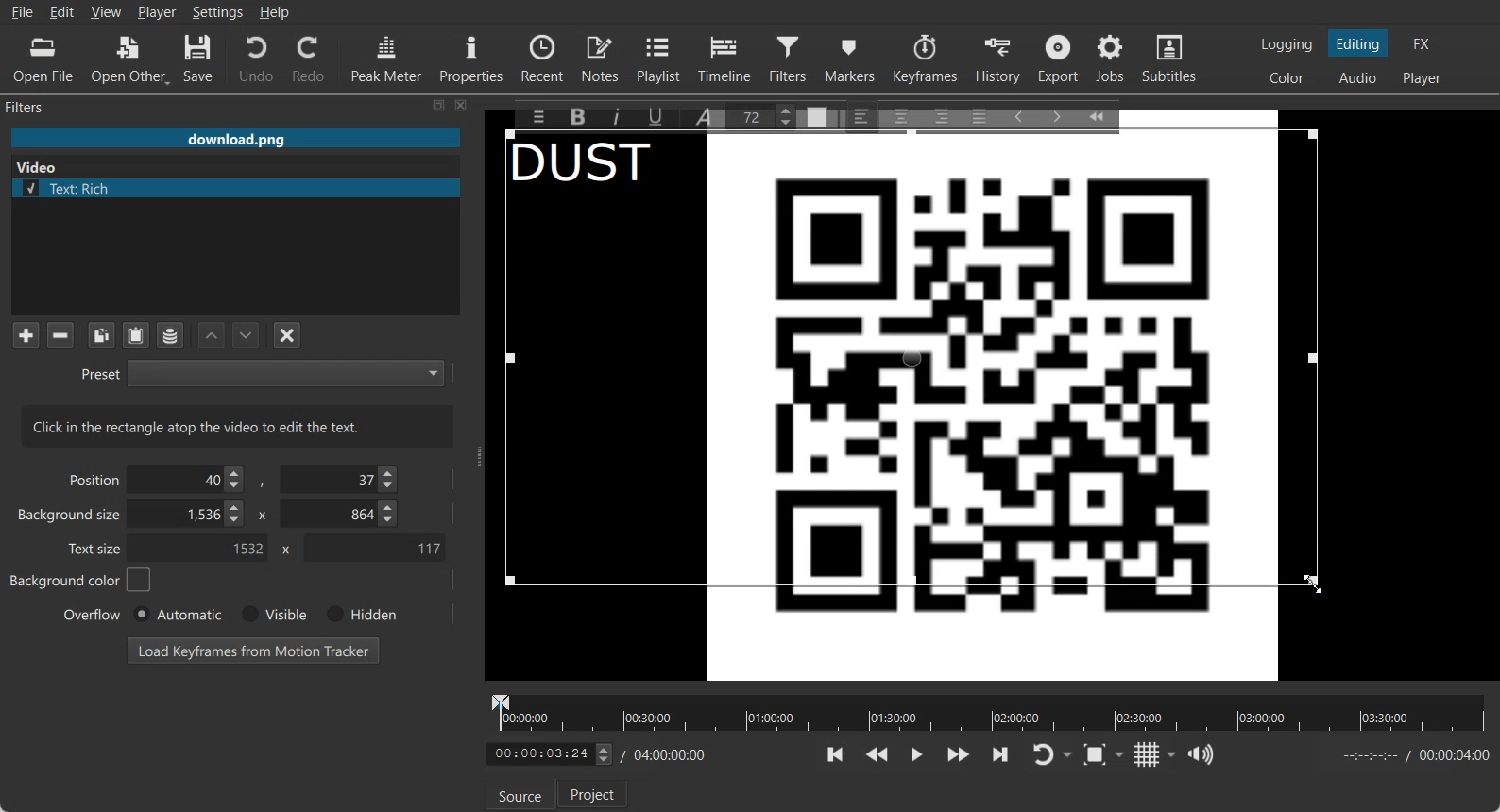 Image resolution: width=1500 pixels, height=812 pixels. What do you see at coordinates (341, 516) in the screenshot?
I see `Background size Y- Co-ordinate` at bounding box center [341, 516].